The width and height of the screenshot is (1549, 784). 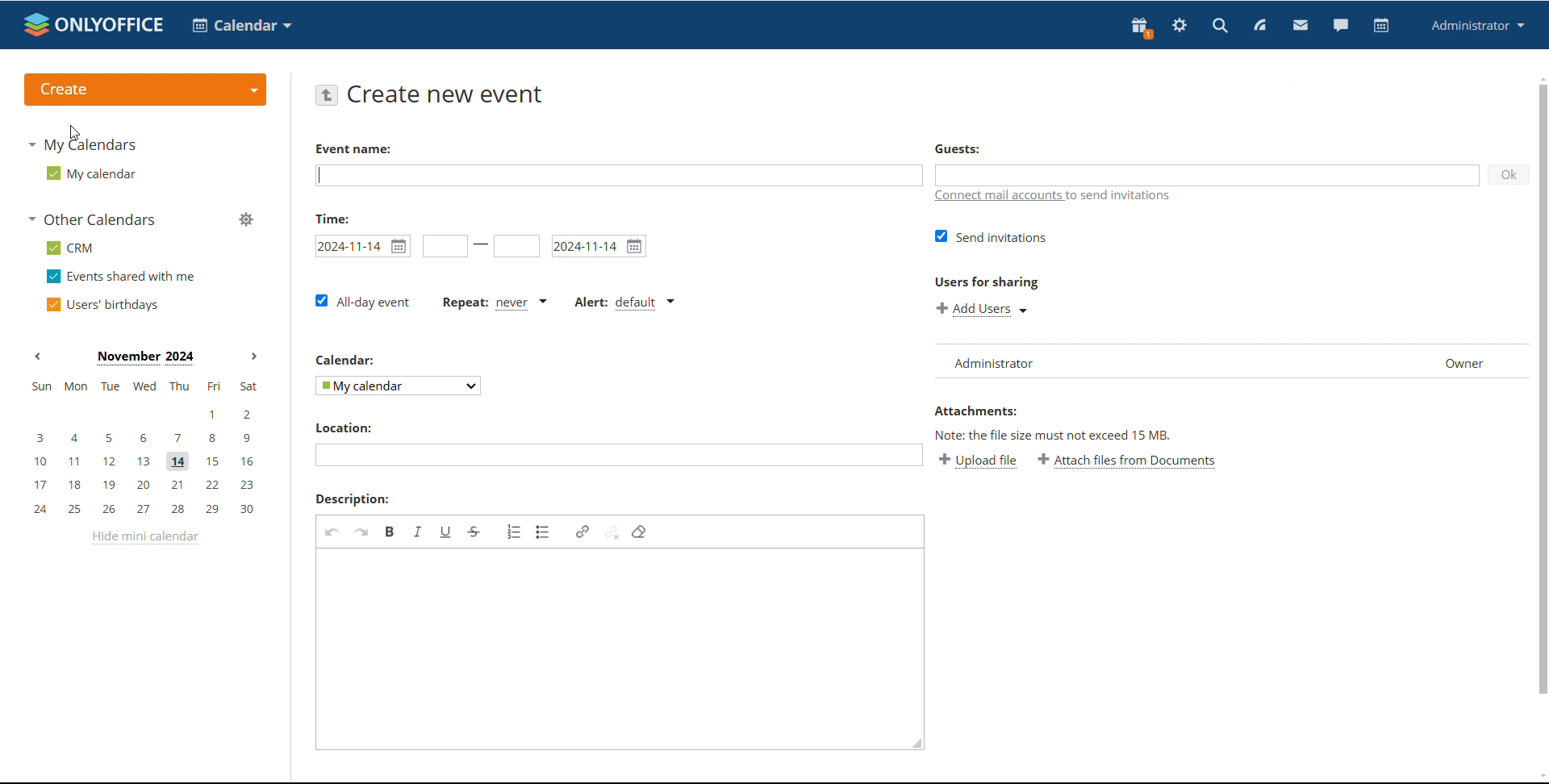 I want to click on events shared with me, so click(x=123, y=276).